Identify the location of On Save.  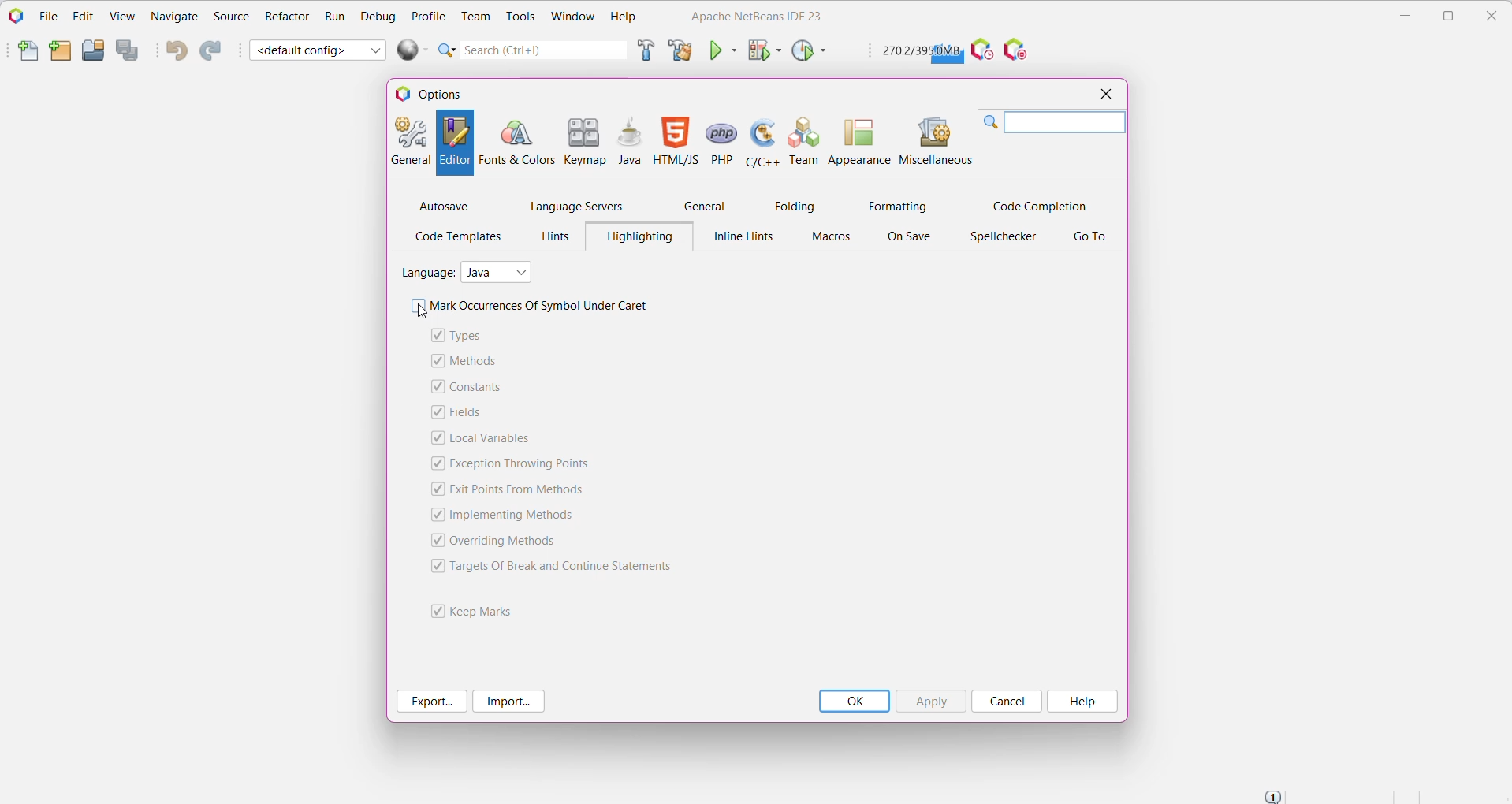
(913, 238).